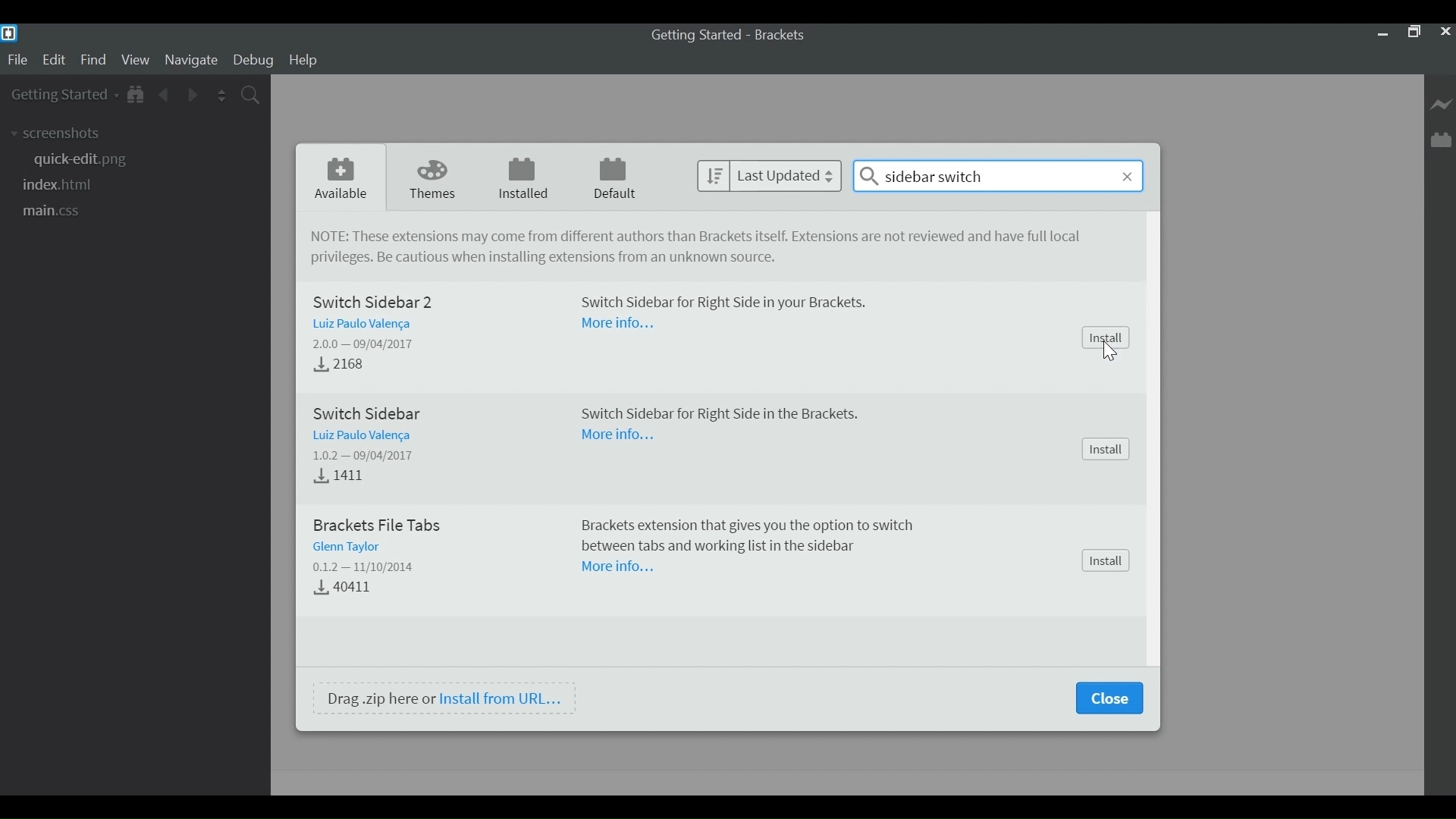 Image resolution: width=1456 pixels, height=819 pixels. What do you see at coordinates (353, 547) in the screenshot?
I see `Glenn Taylor` at bounding box center [353, 547].